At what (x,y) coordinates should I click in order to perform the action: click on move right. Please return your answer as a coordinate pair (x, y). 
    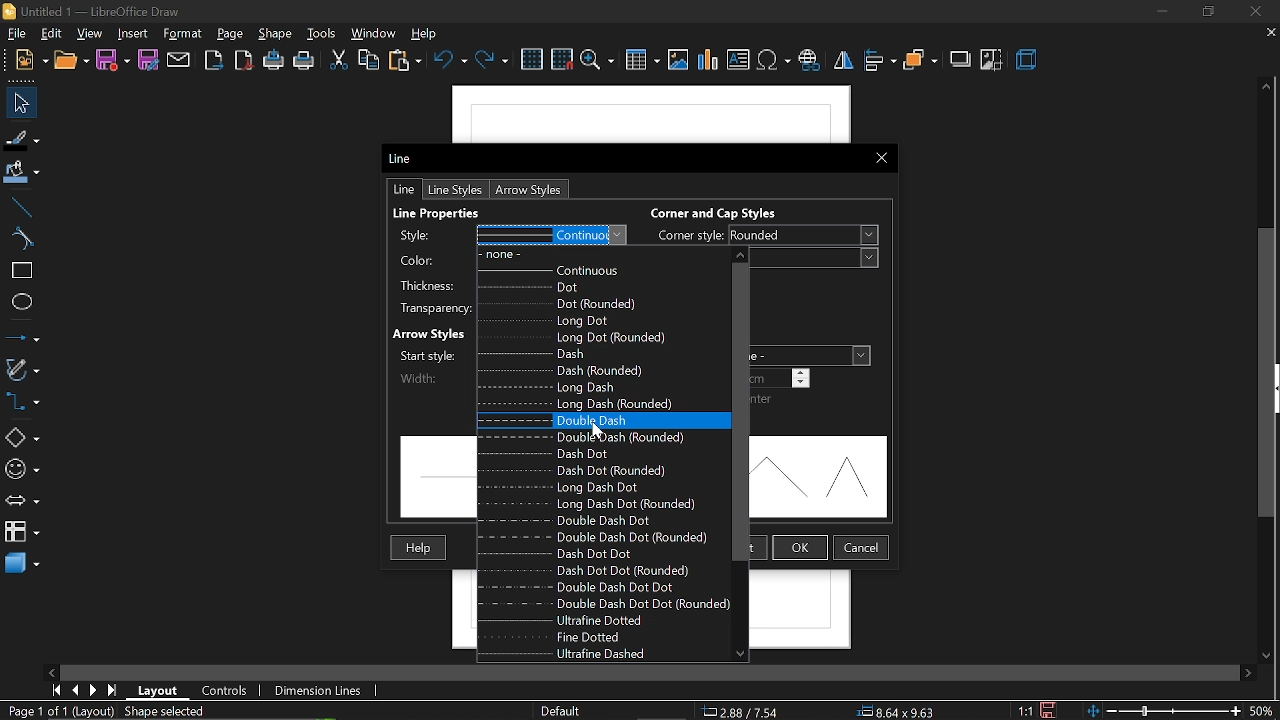
    Looking at the image, I should click on (1250, 671).